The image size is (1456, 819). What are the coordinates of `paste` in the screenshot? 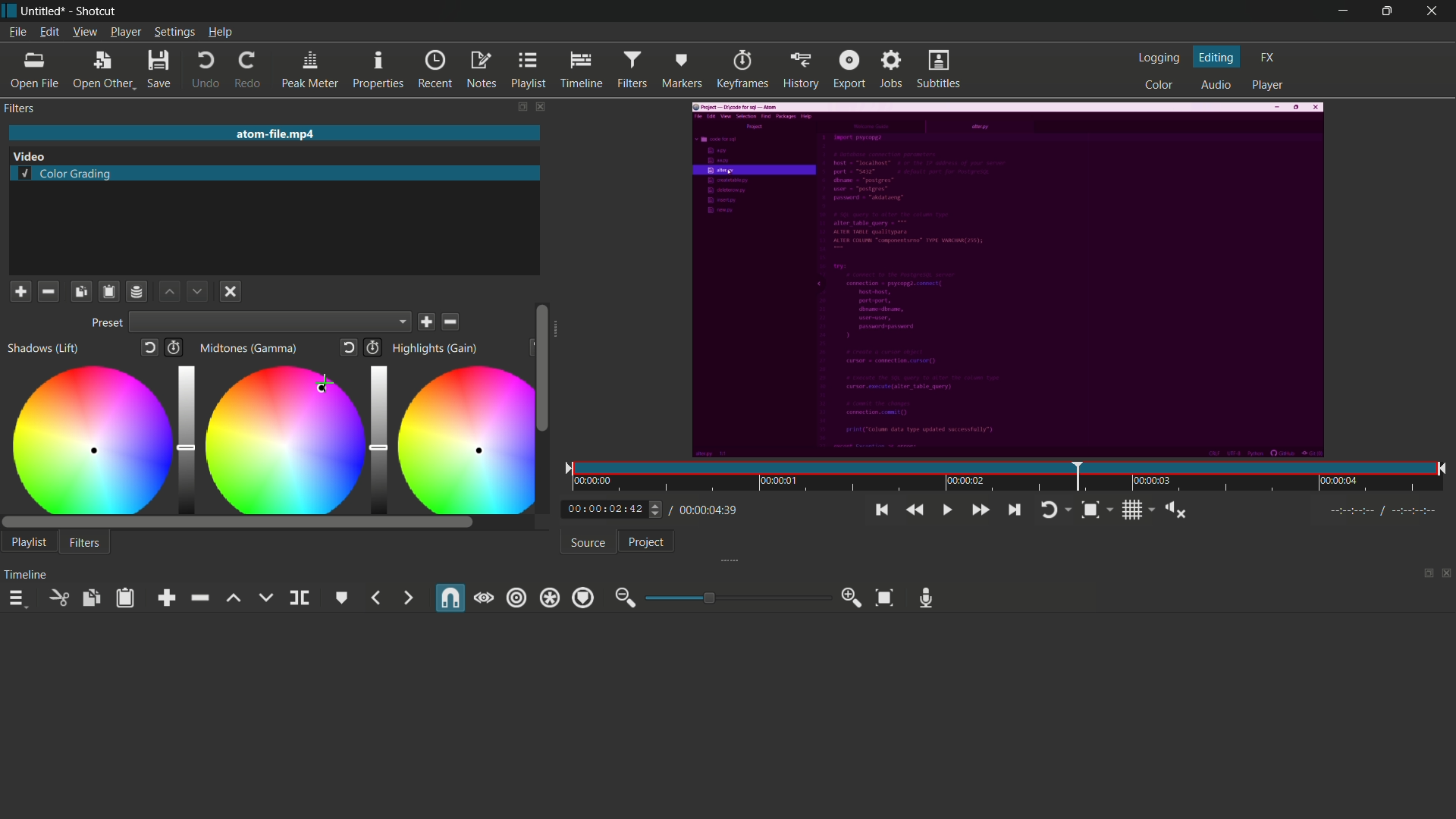 It's located at (128, 598).